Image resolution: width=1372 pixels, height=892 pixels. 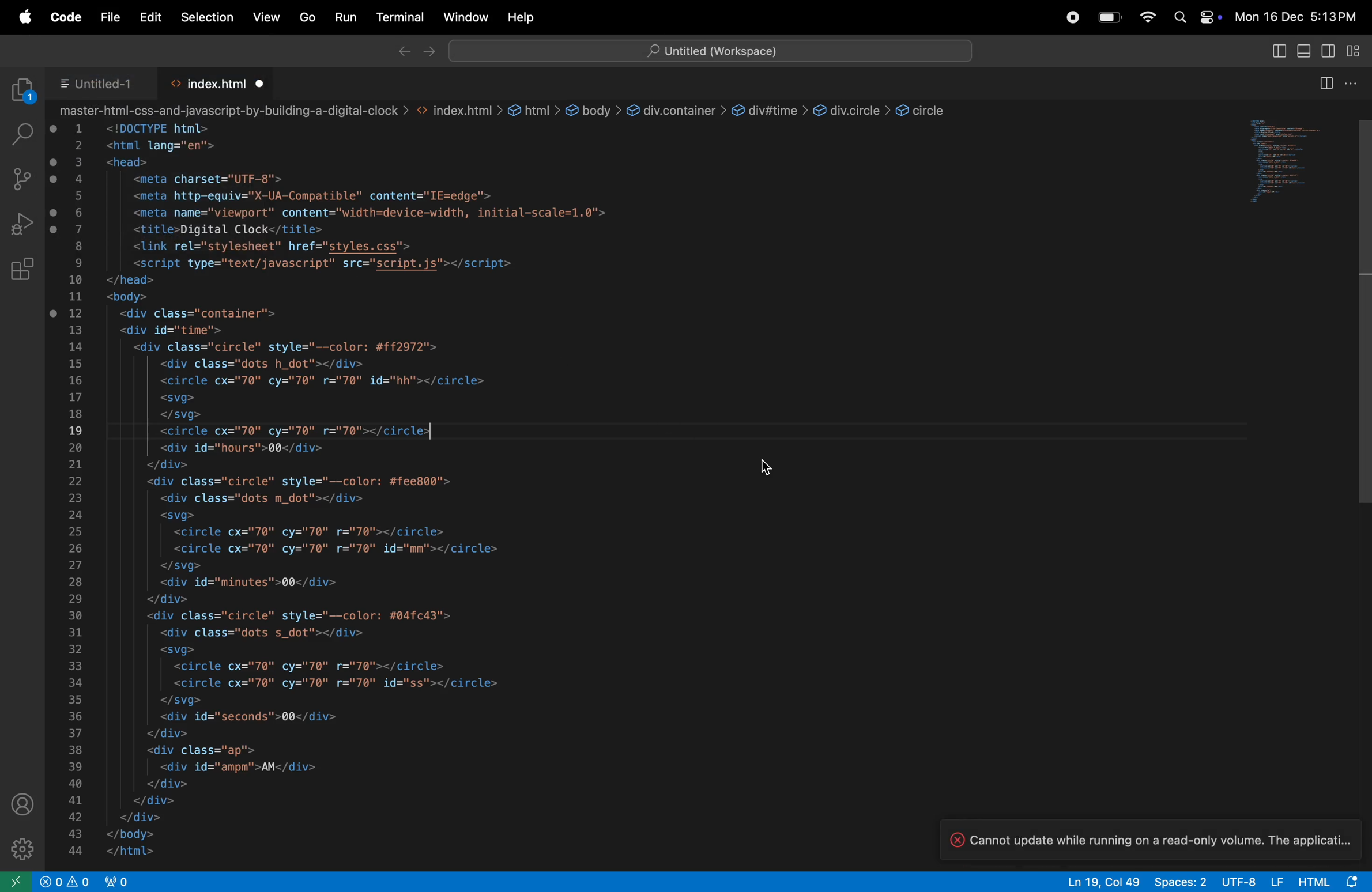 What do you see at coordinates (160, 128) in the screenshot?
I see `<!DOCTYPE html>` at bounding box center [160, 128].